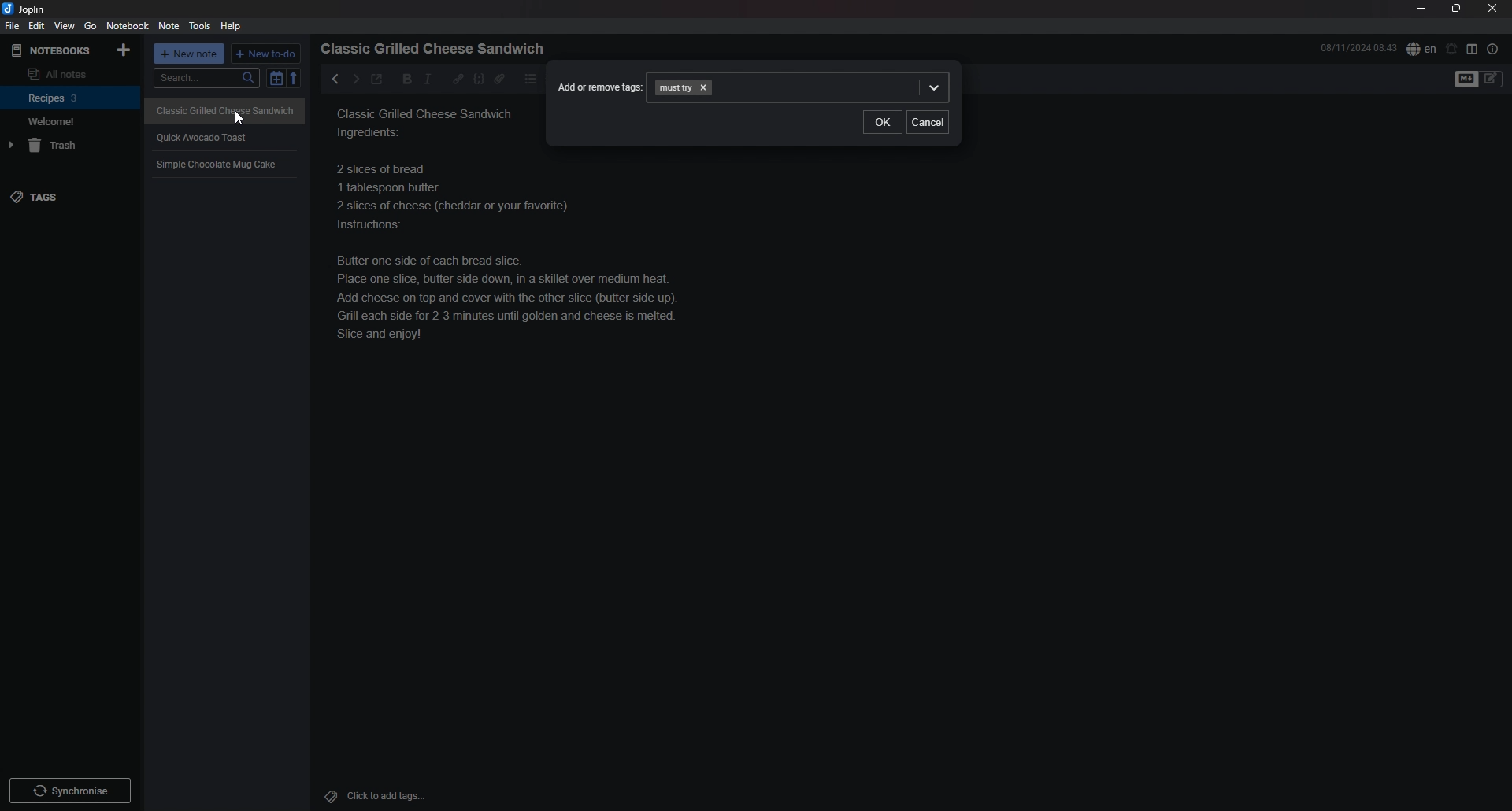 The height and width of the screenshot is (811, 1512). I want to click on toggle editor, so click(1479, 80).